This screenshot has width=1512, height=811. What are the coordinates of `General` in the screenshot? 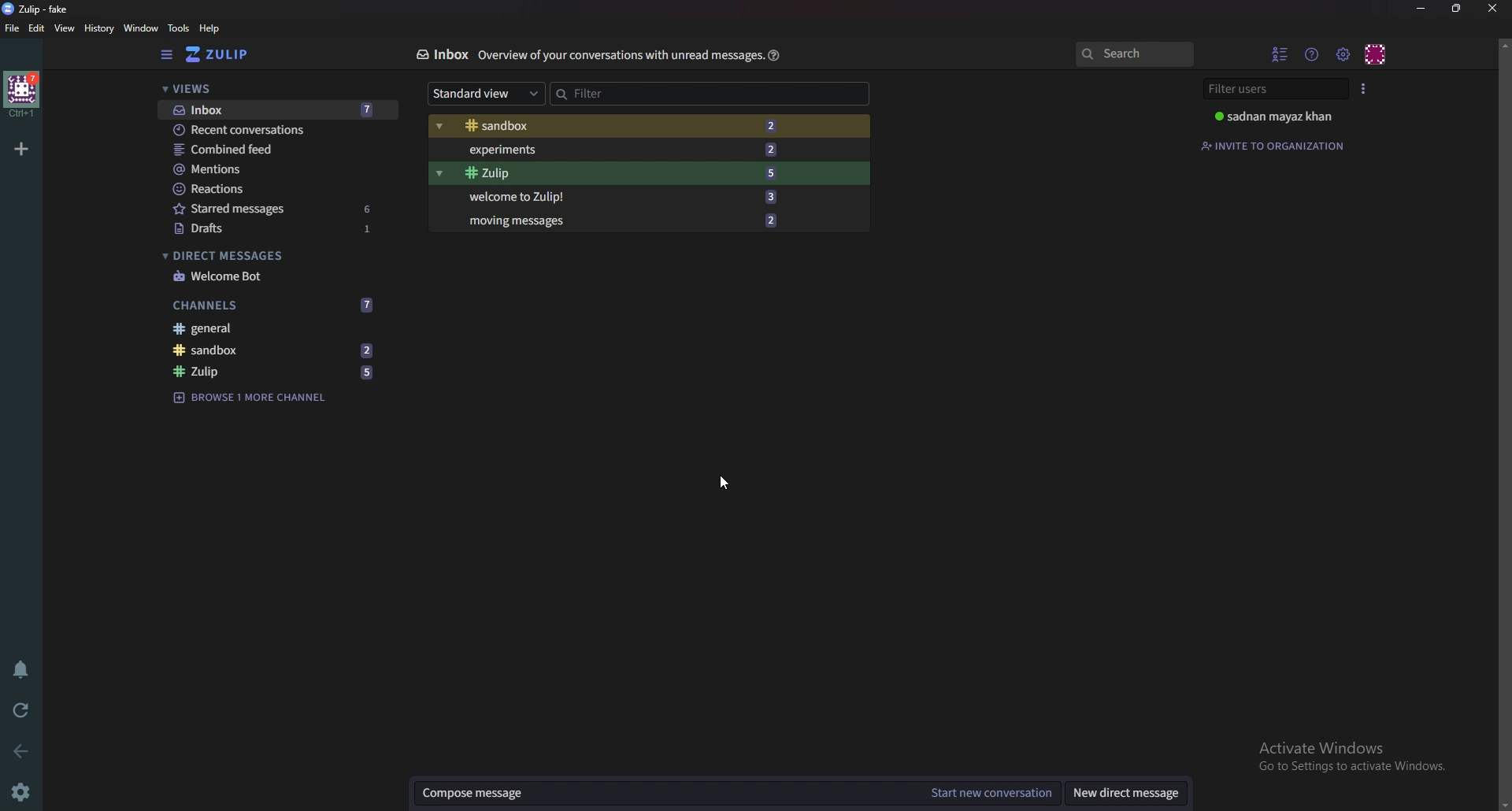 It's located at (271, 328).